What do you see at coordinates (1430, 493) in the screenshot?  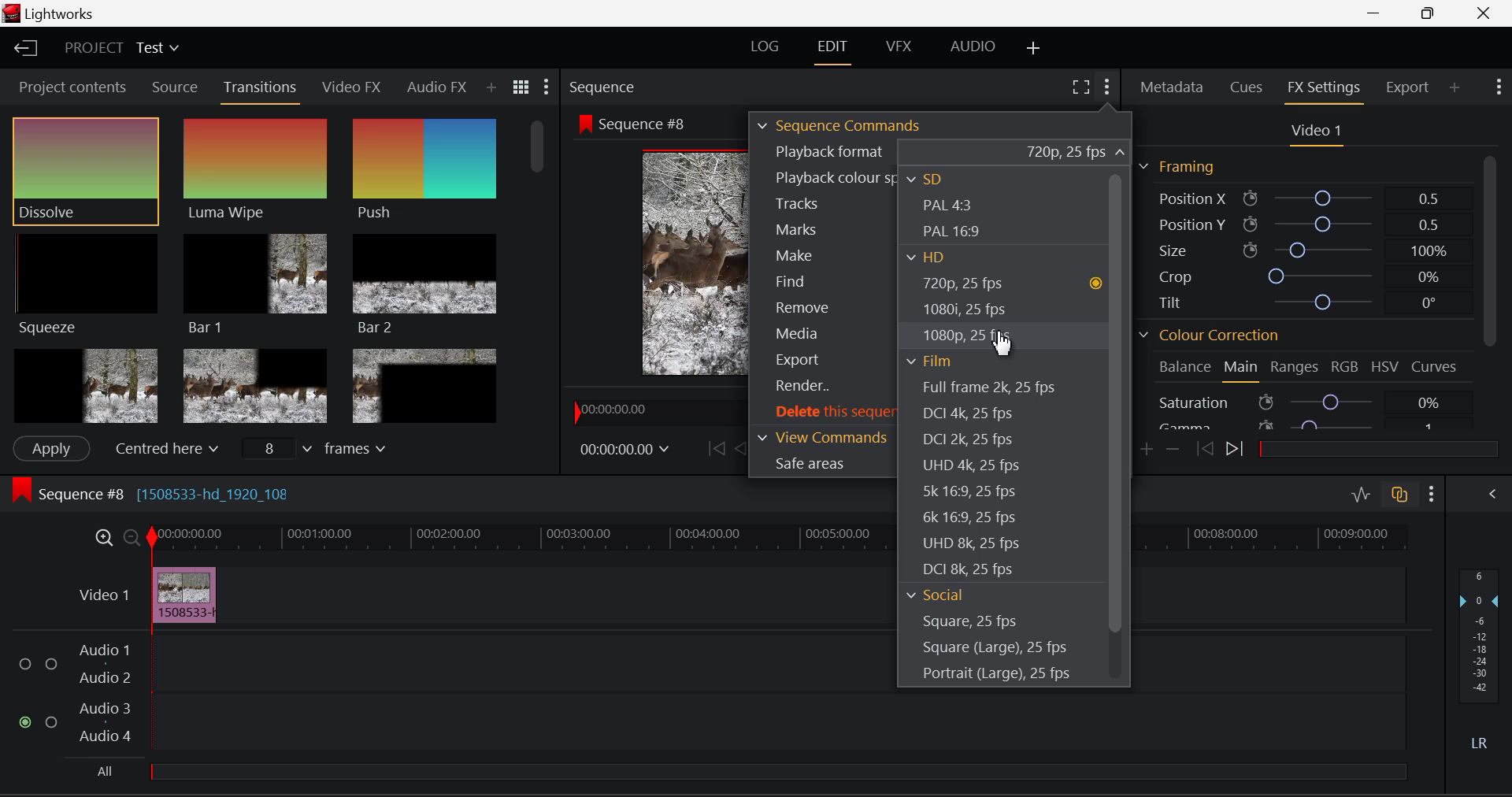 I see `Show Settings` at bounding box center [1430, 493].